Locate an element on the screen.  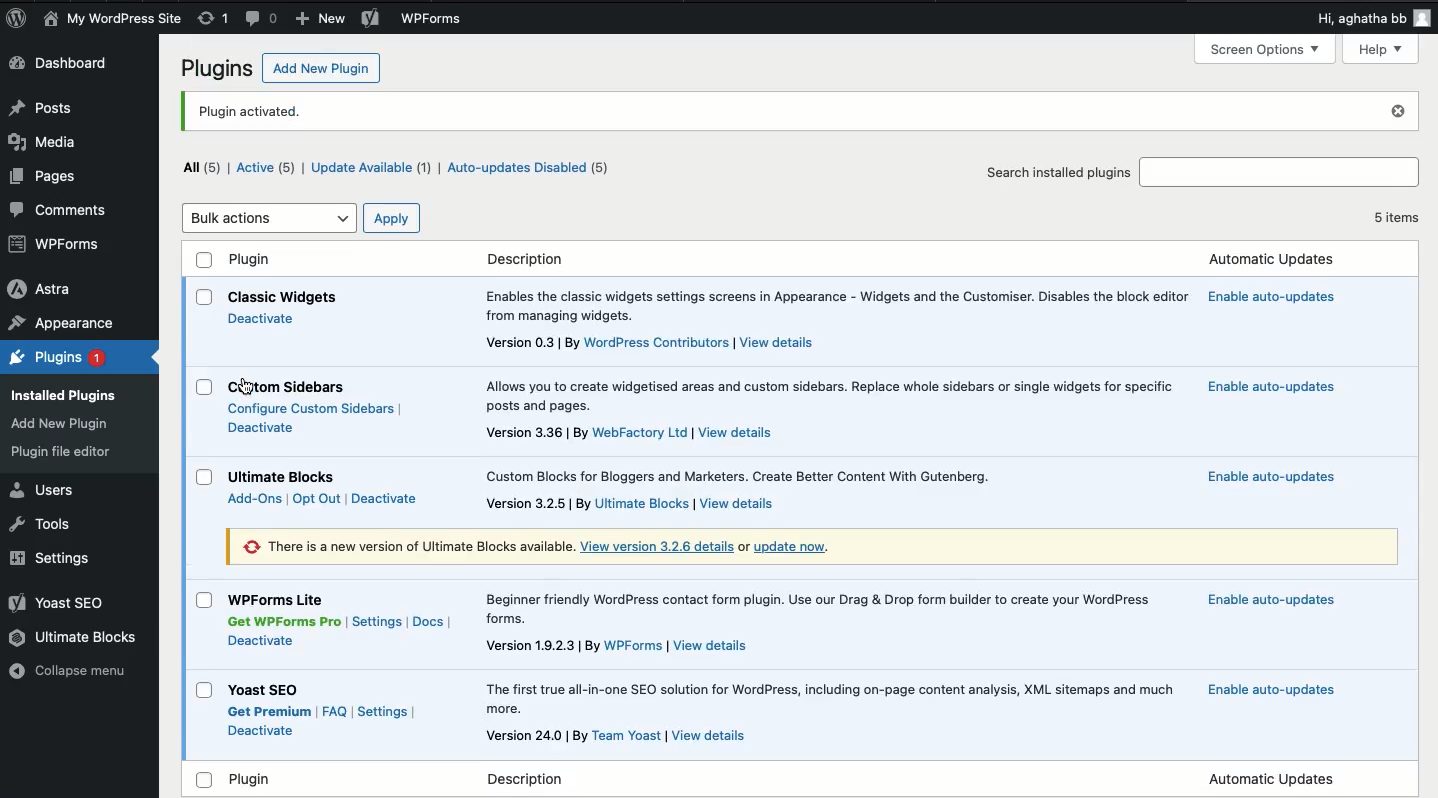
All is located at coordinates (205, 168).